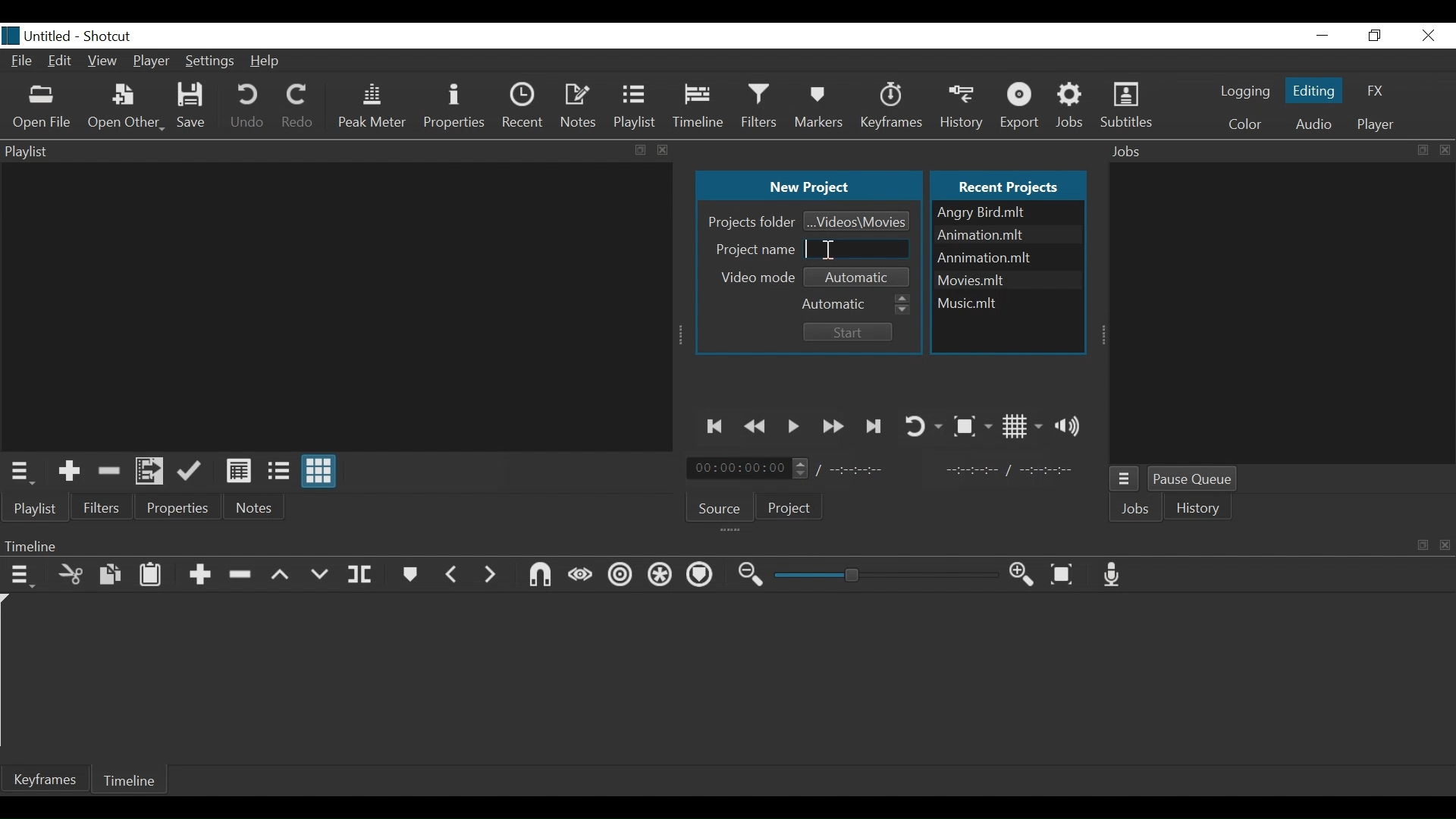 The height and width of the screenshot is (819, 1456). Describe the element at coordinates (1072, 425) in the screenshot. I see `Show volume control` at that location.